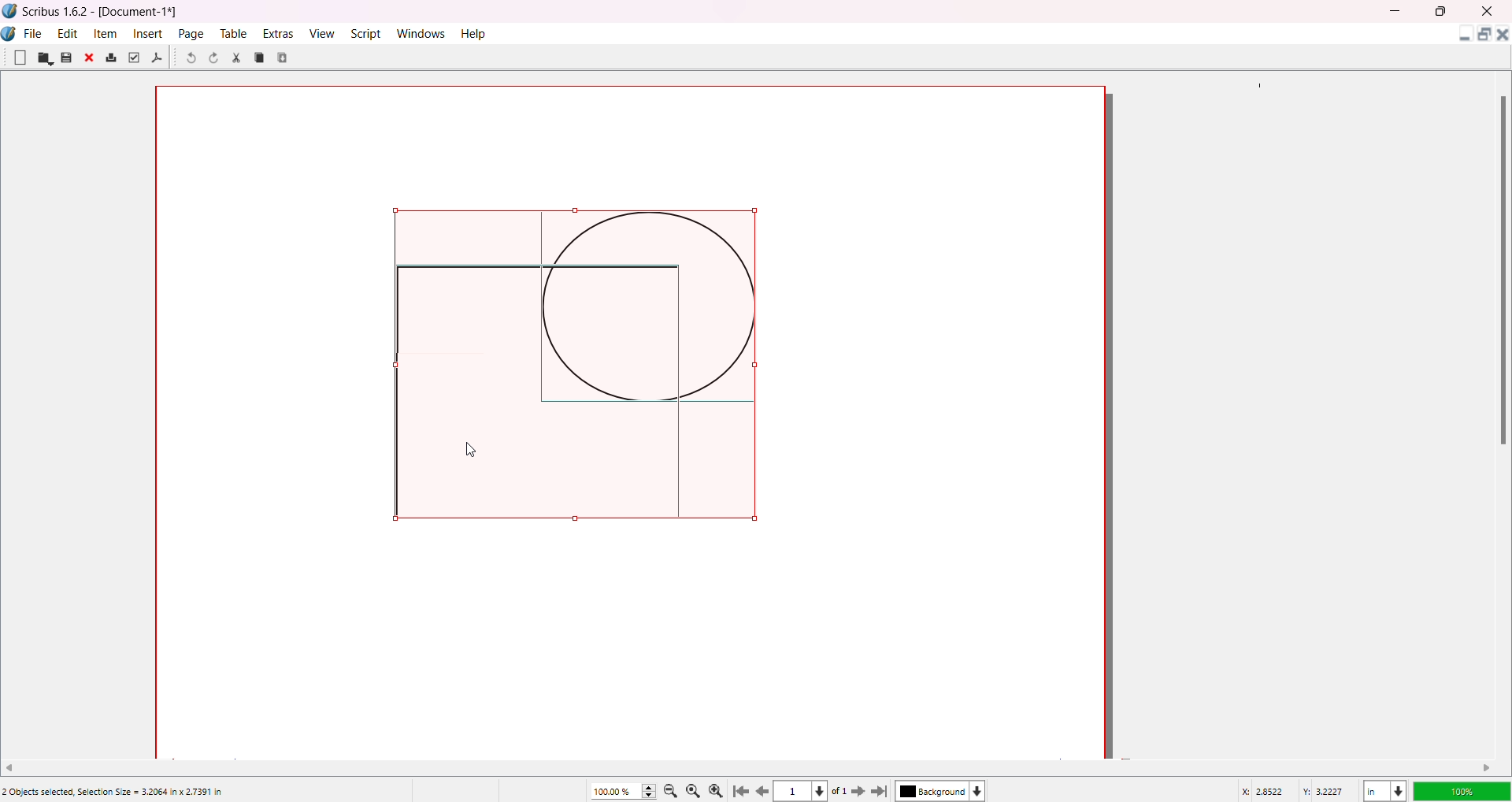 Image resolution: width=1512 pixels, height=802 pixels. Describe the element at coordinates (157, 58) in the screenshot. I see `Save as PDF` at that location.